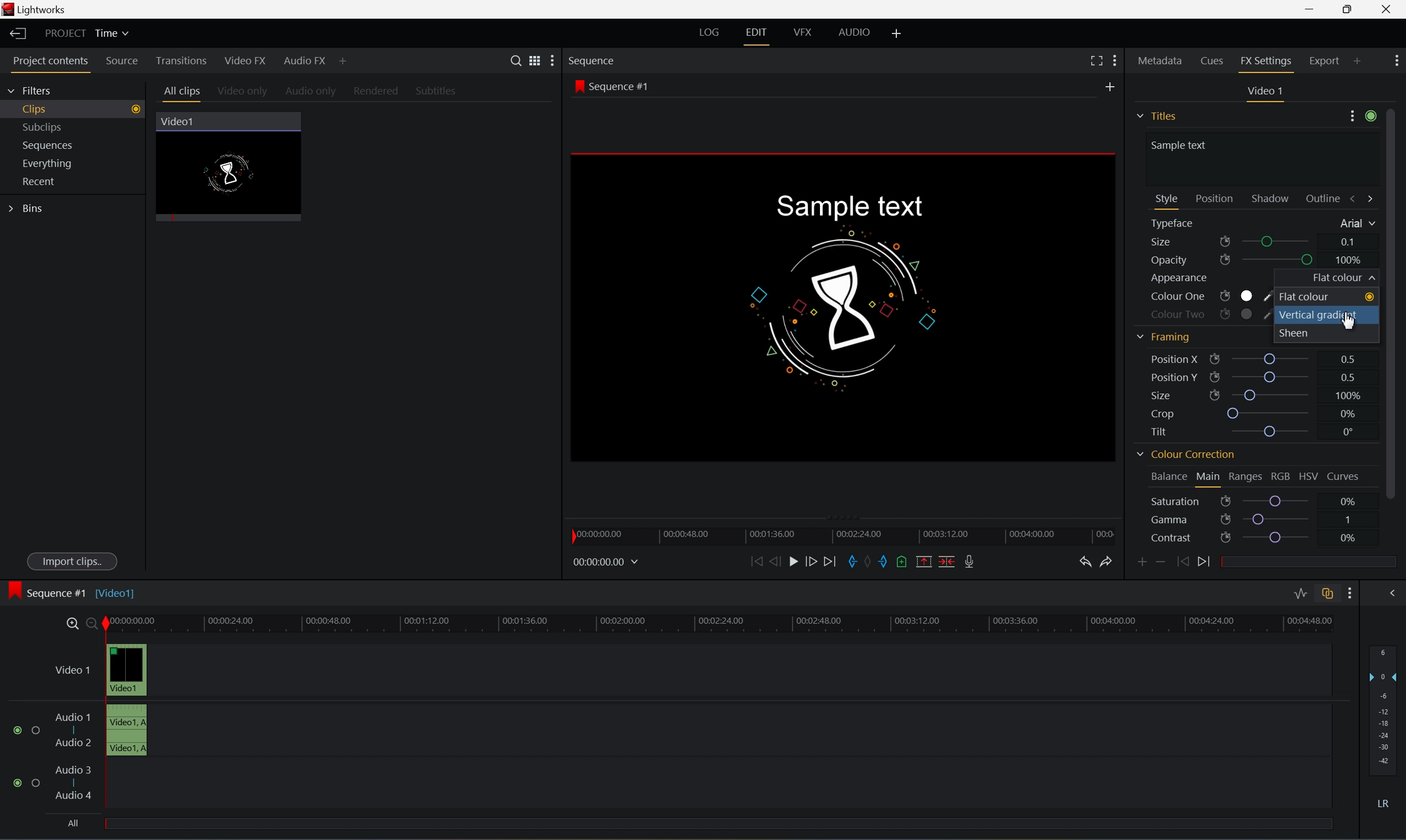 The width and height of the screenshot is (1406, 840). Describe the element at coordinates (1177, 224) in the screenshot. I see `typeface` at that location.